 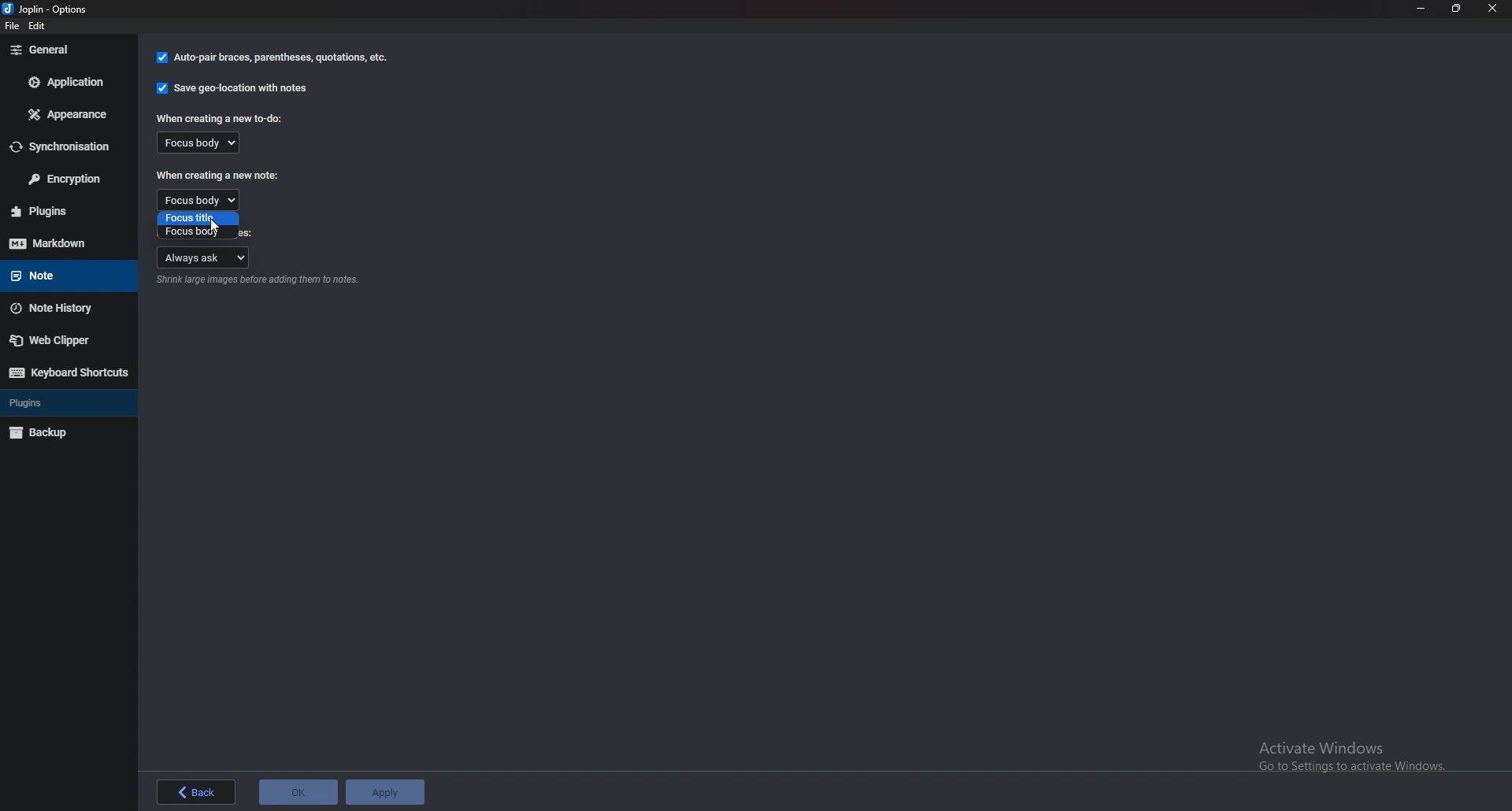 I want to click on edit, so click(x=40, y=28).